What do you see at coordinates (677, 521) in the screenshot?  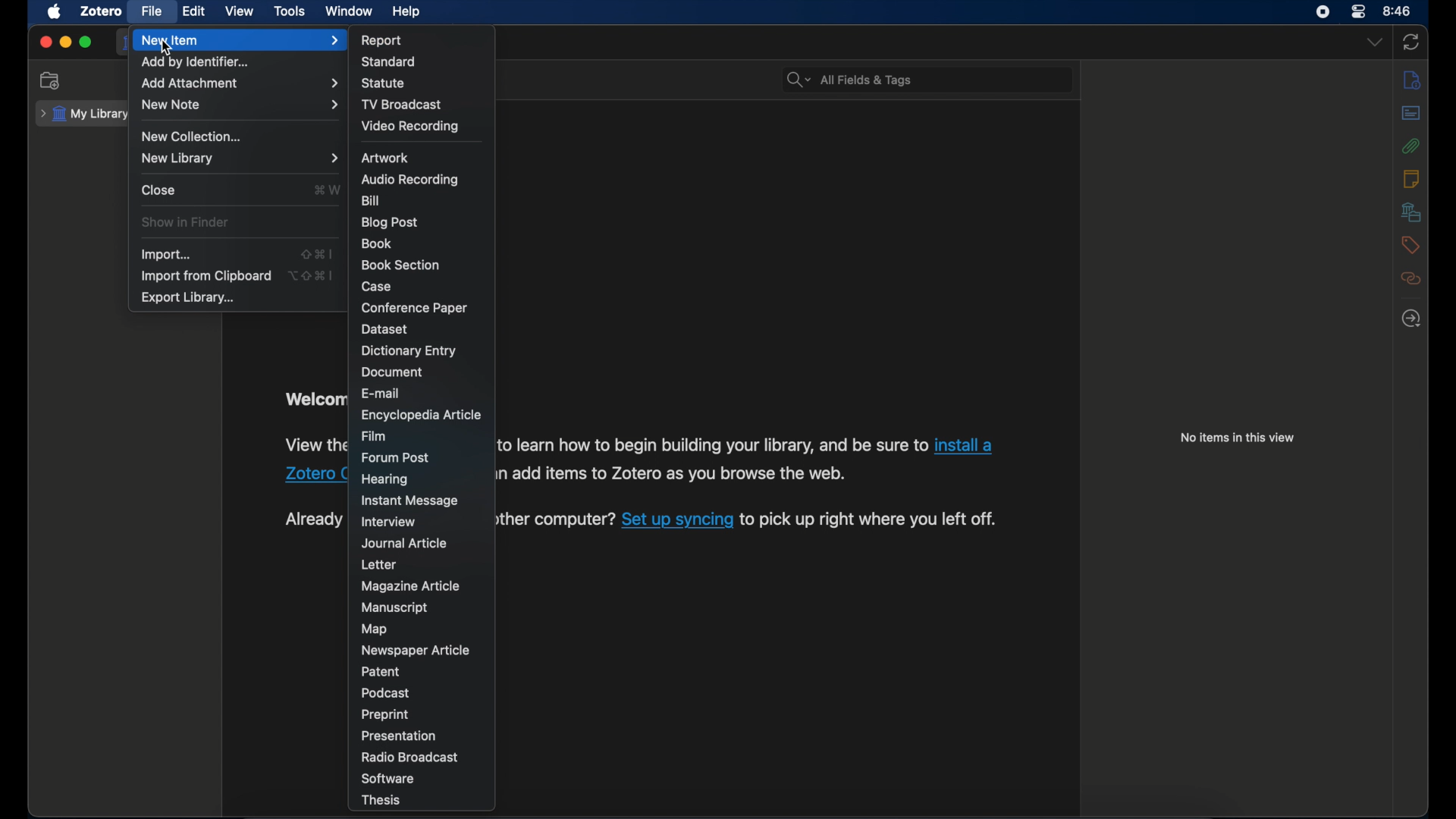 I see `sync link` at bounding box center [677, 521].